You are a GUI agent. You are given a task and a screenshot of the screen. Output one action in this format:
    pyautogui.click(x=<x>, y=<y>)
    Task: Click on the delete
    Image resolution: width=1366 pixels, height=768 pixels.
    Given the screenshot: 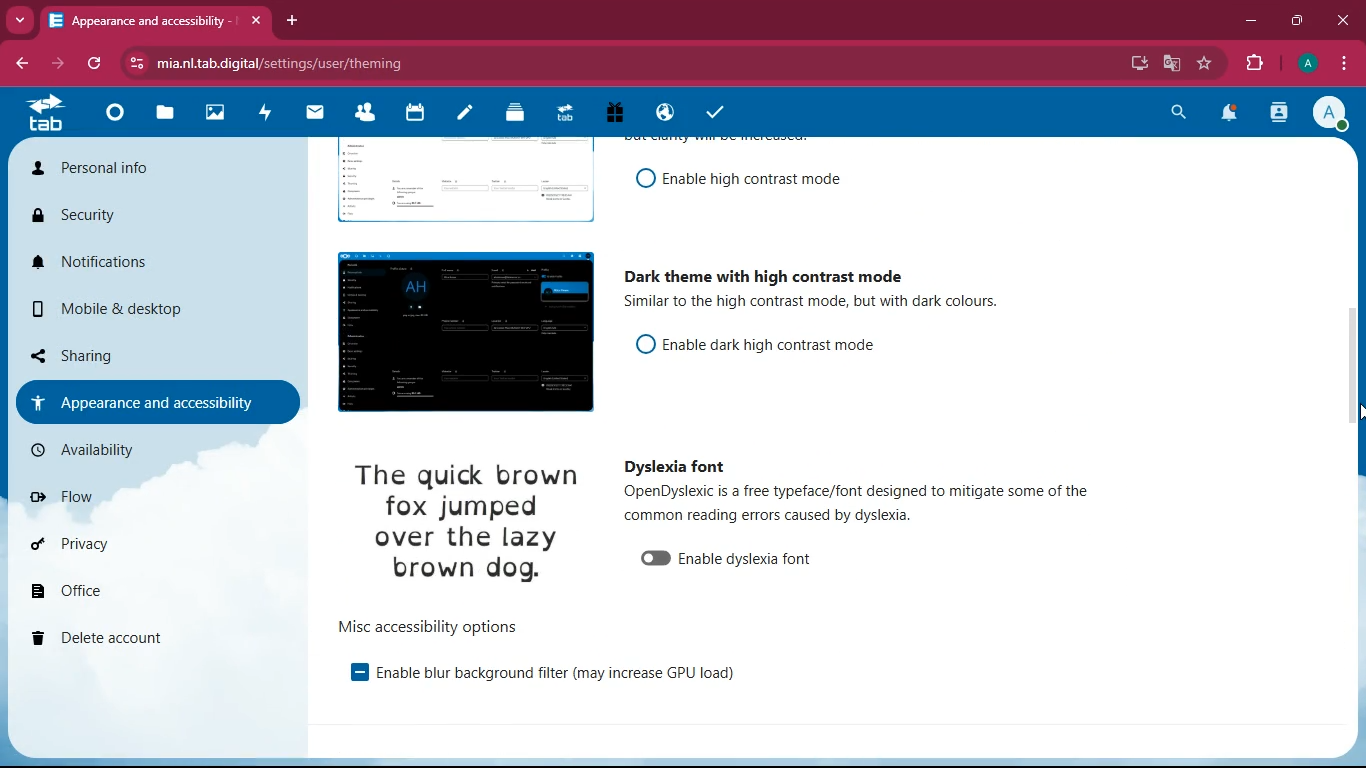 What is the action you would take?
    pyautogui.click(x=117, y=635)
    